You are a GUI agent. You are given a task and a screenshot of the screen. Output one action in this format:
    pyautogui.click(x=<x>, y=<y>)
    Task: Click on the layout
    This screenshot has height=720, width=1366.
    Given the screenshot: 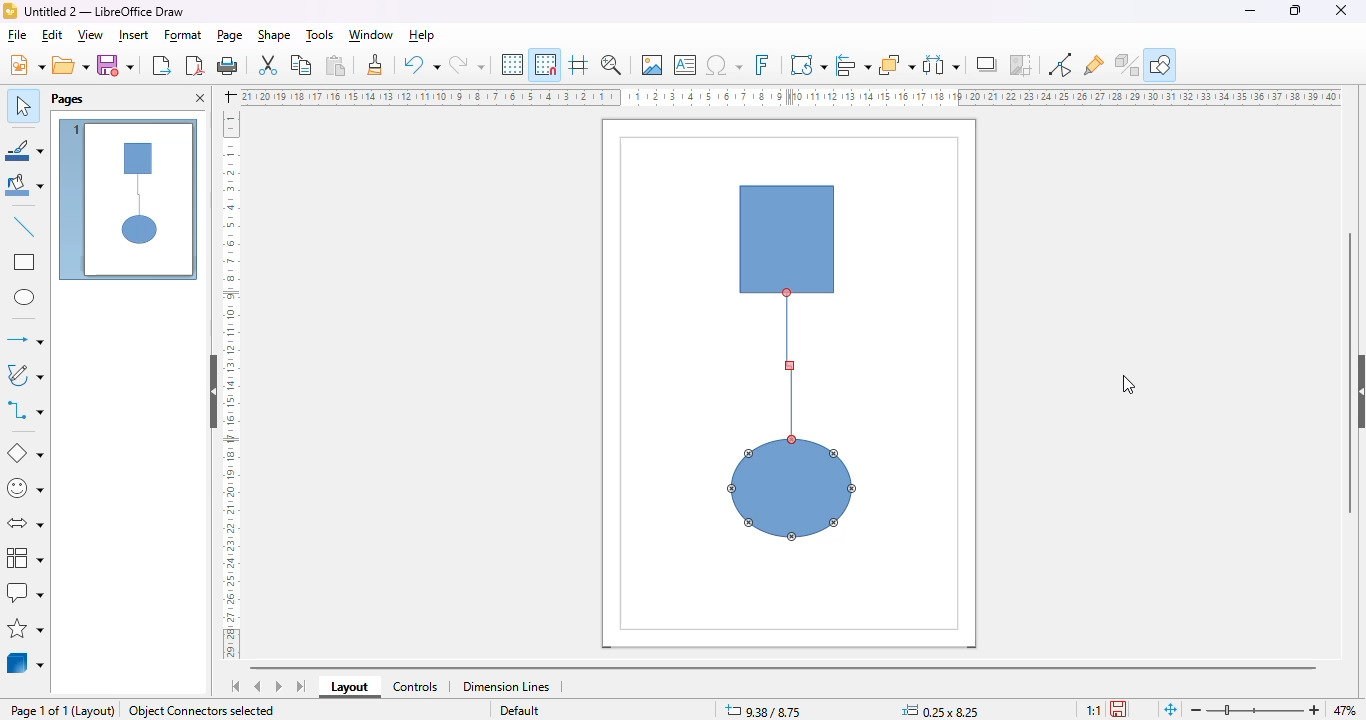 What is the action you would take?
    pyautogui.click(x=96, y=711)
    